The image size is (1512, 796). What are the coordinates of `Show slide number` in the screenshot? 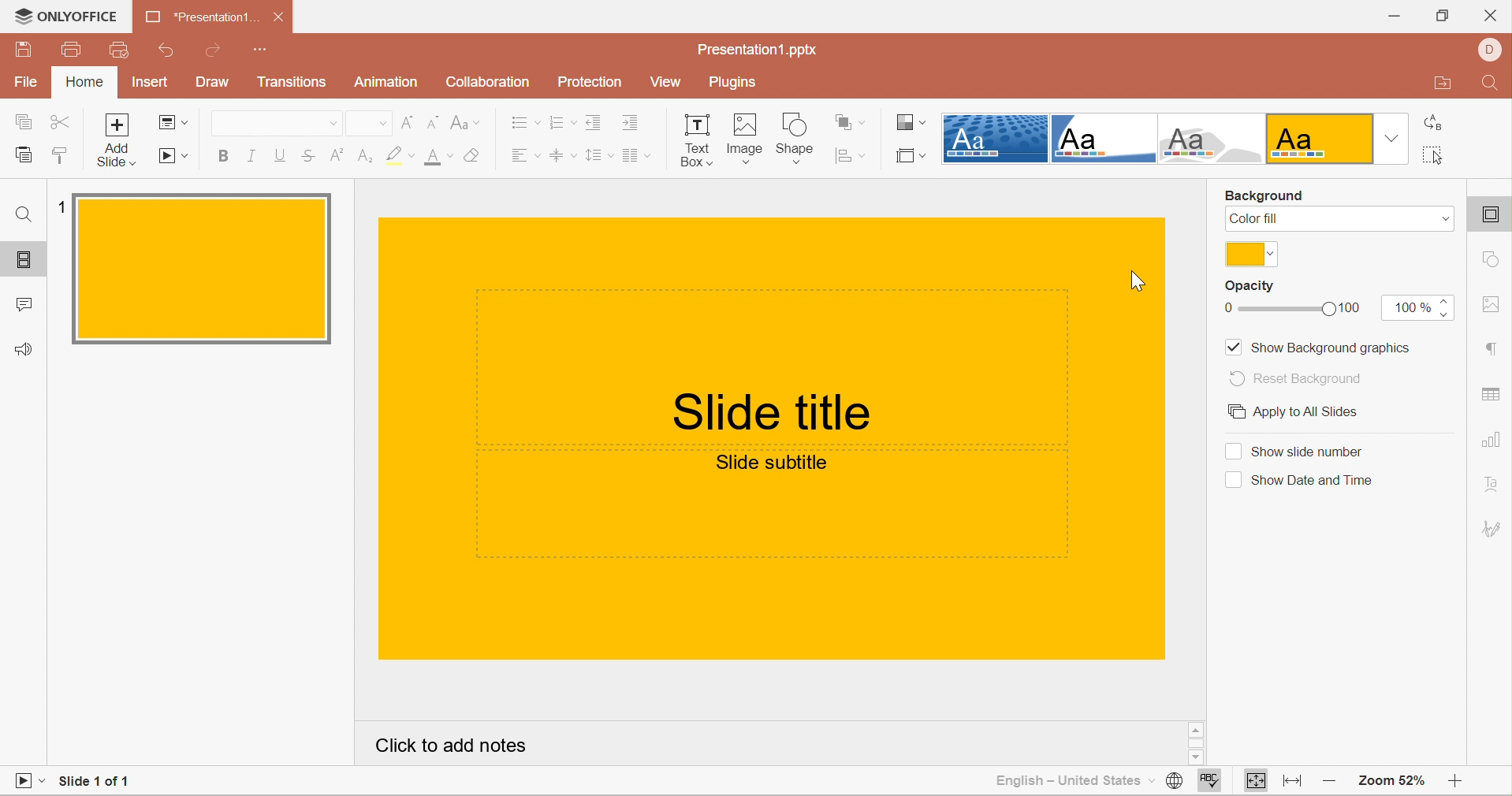 It's located at (1297, 450).